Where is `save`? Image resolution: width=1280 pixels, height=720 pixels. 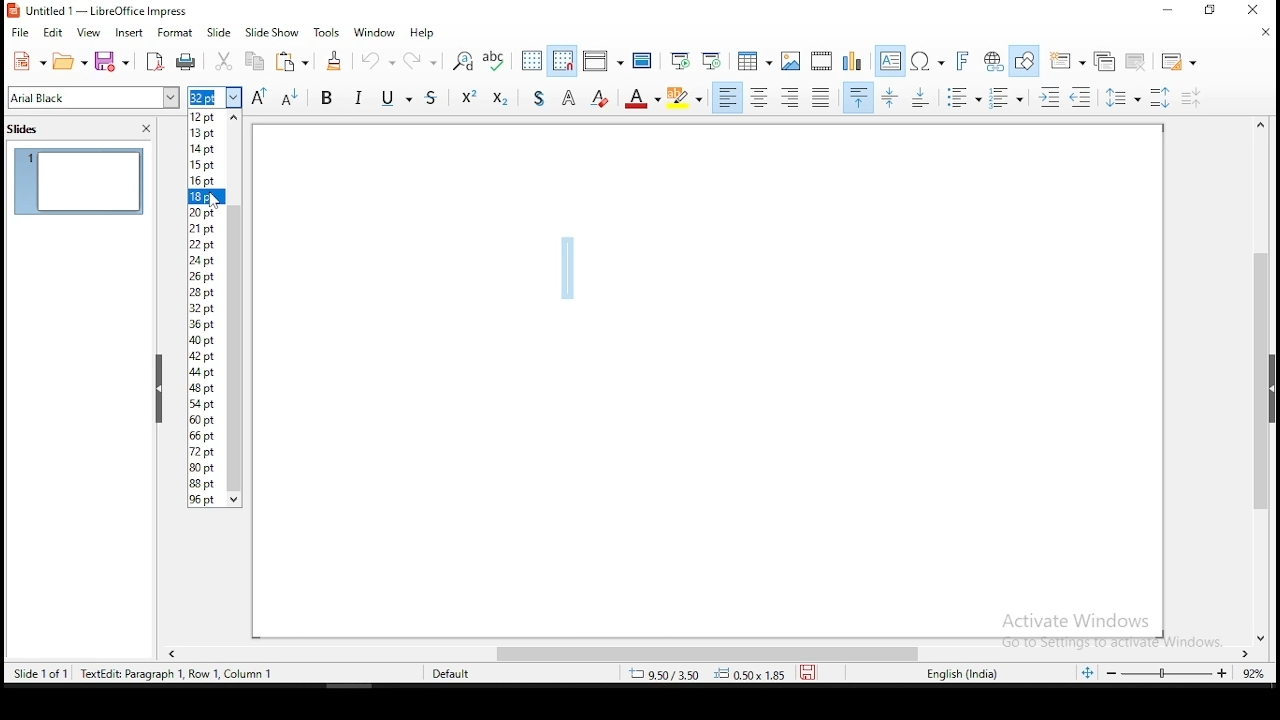 save is located at coordinates (115, 62).